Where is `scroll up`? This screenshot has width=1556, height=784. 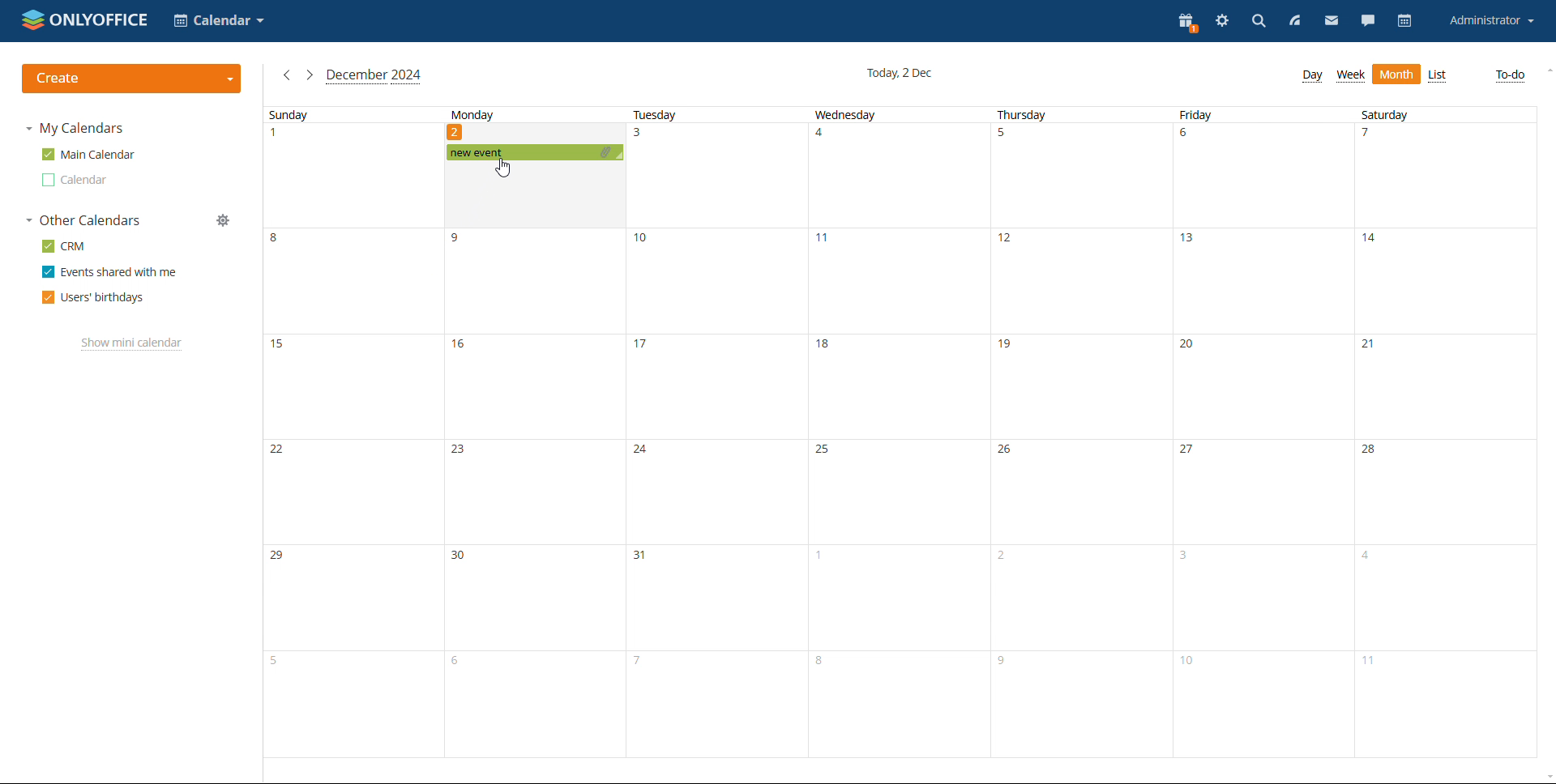 scroll up is located at coordinates (1546, 71).